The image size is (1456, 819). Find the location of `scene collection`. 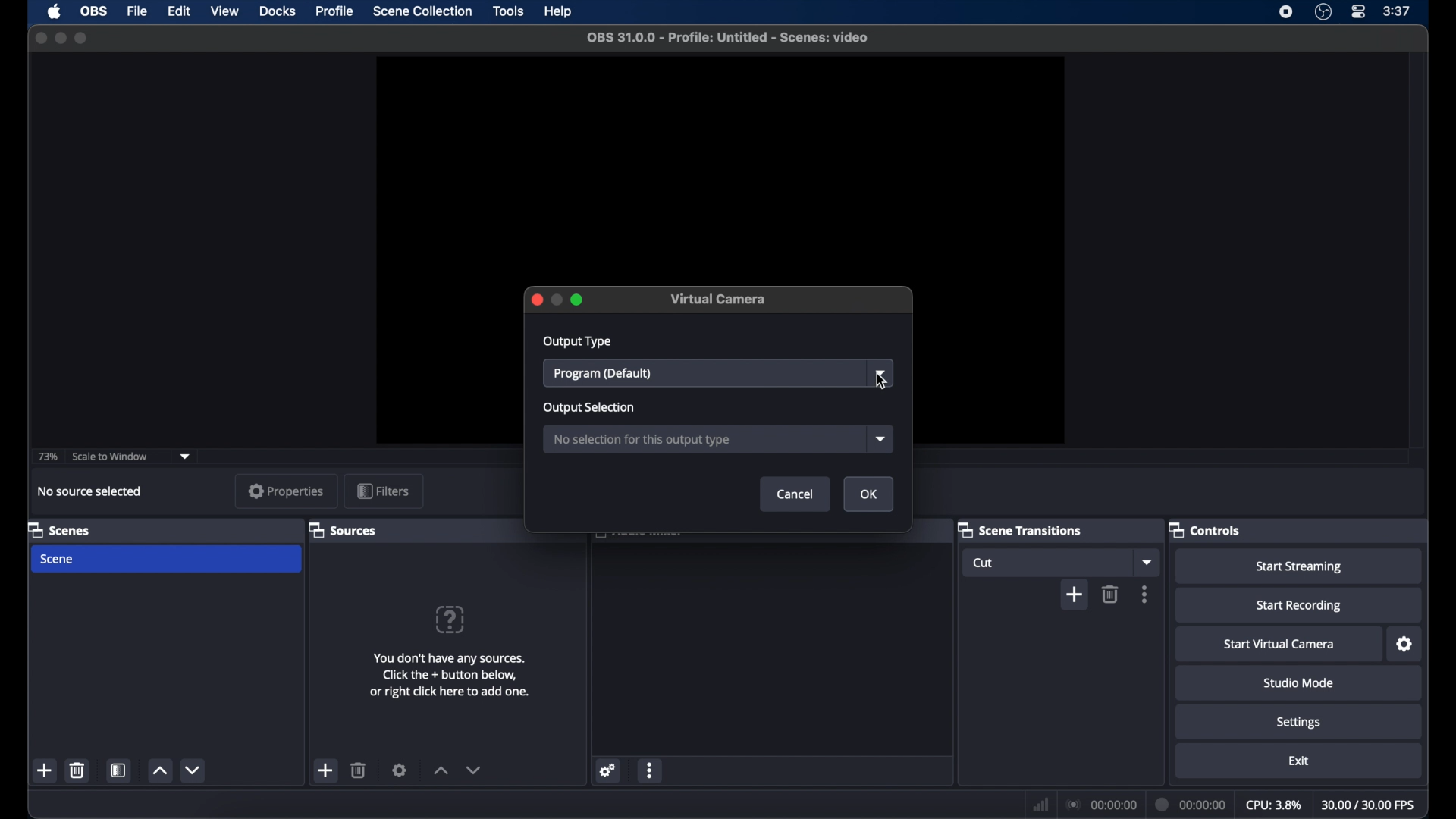

scene collection is located at coordinates (422, 11).